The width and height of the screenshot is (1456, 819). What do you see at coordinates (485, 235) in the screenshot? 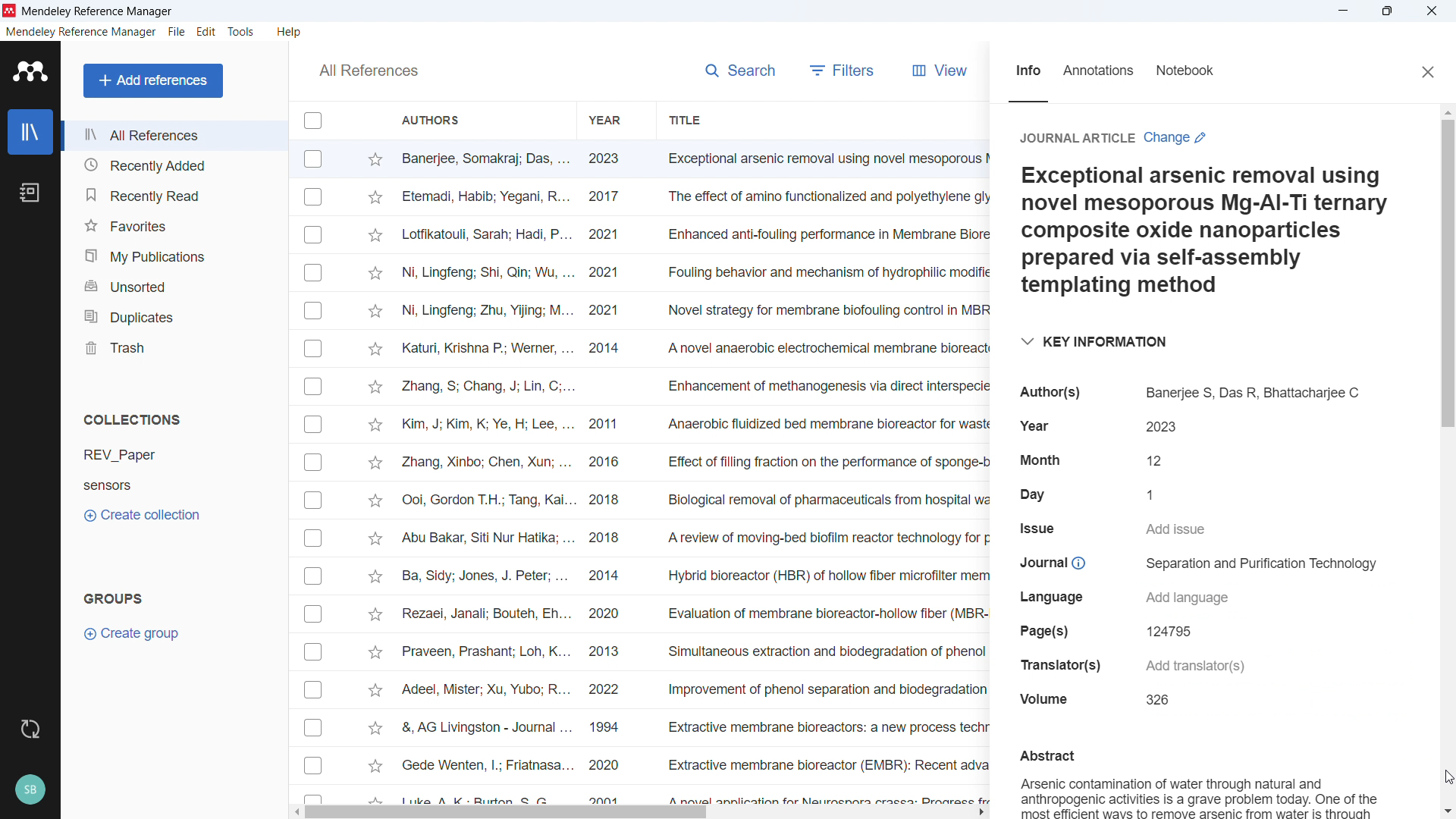
I see `lotfikatouil,sarah,hadi,p` at bounding box center [485, 235].